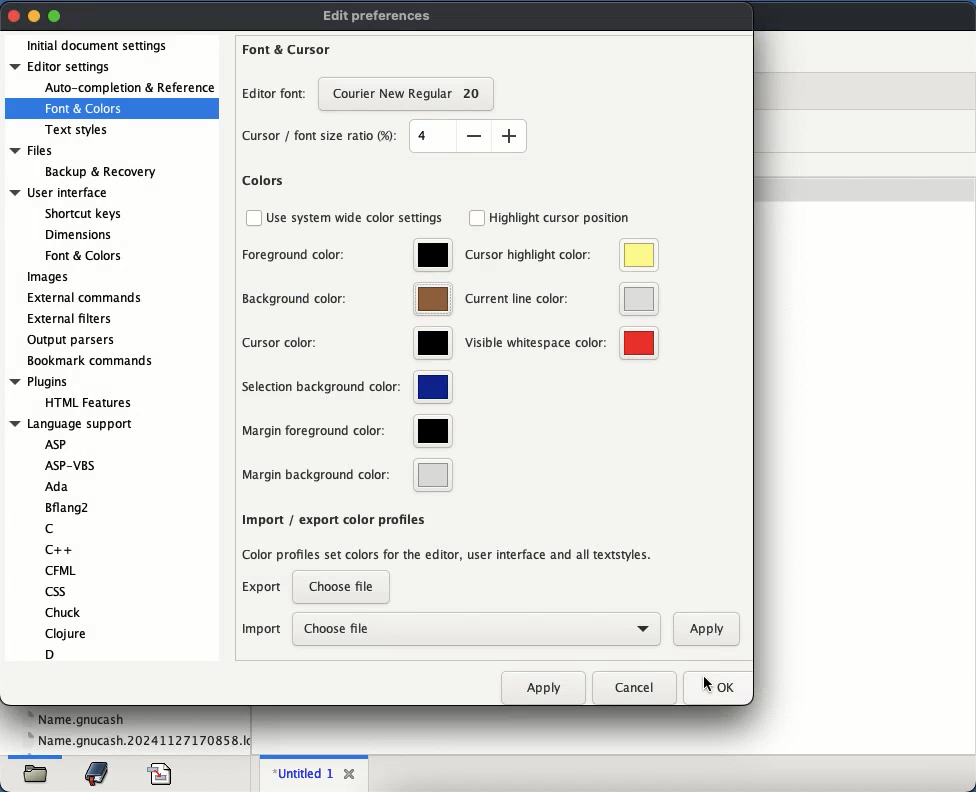 Image resolution: width=976 pixels, height=792 pixels. Describe the element at coordinates (477, 628) in the screenshot. I see `choose file` at that location.